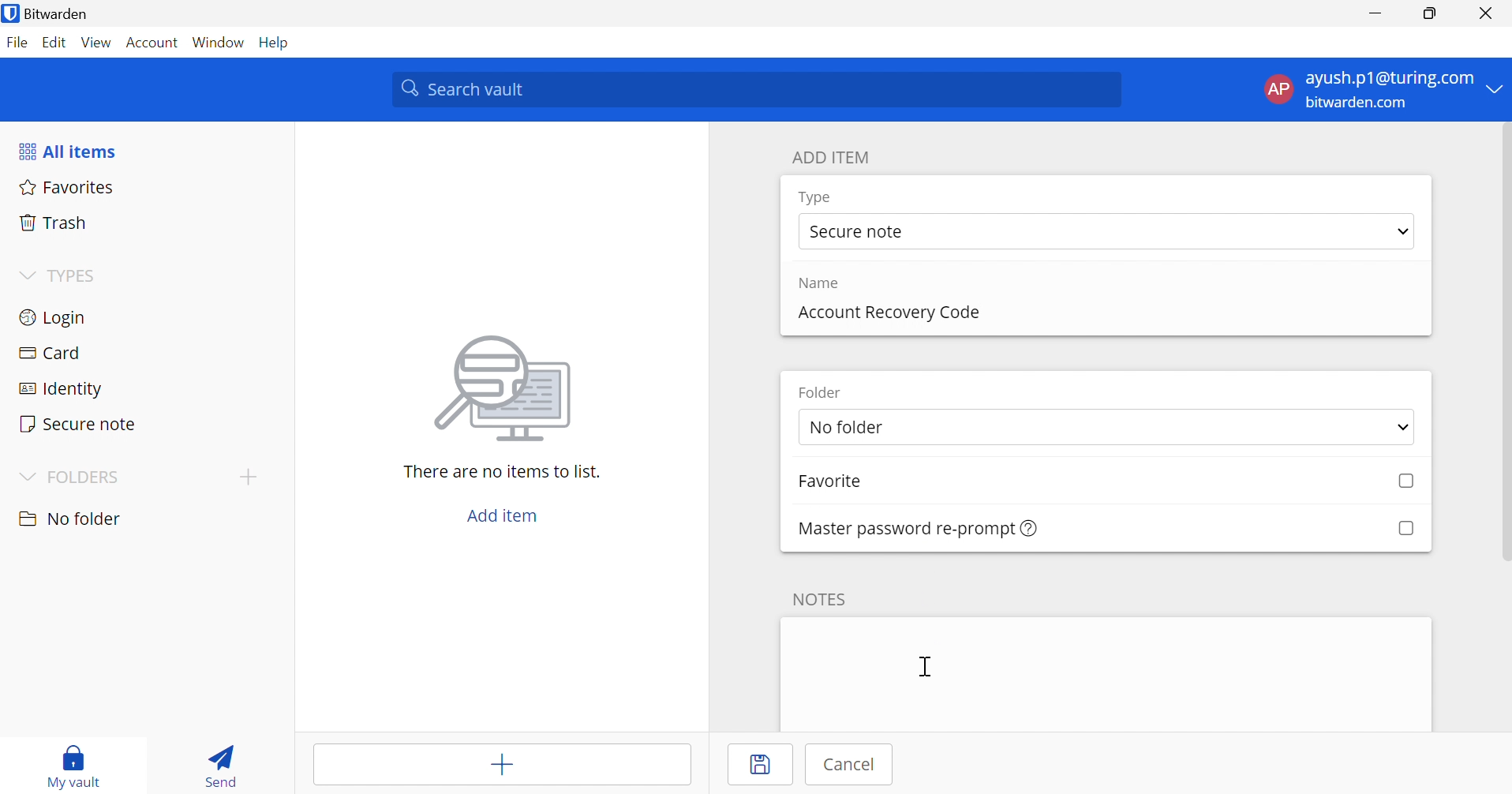  Describe the element at coordinates (500, 767) in the screenshot. I see `Add item` at that location.